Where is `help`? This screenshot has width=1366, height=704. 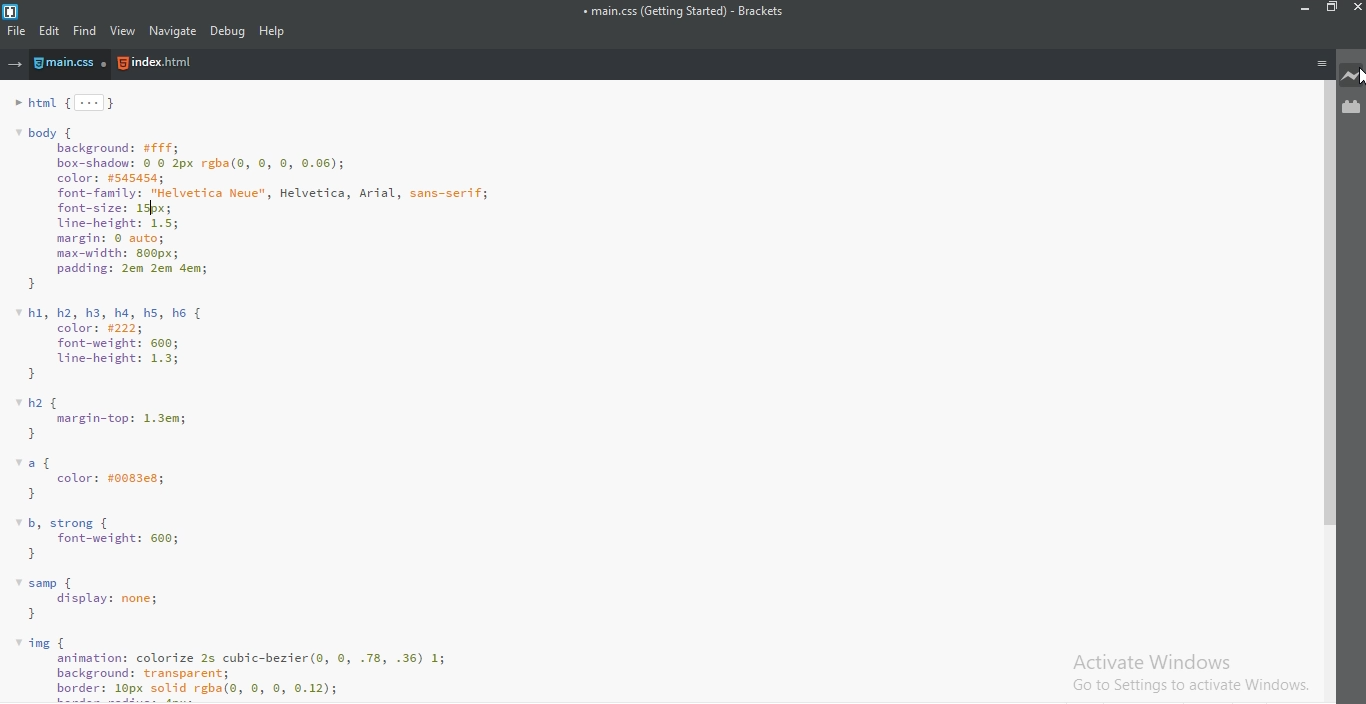
help is located at coordinates (274, 31).